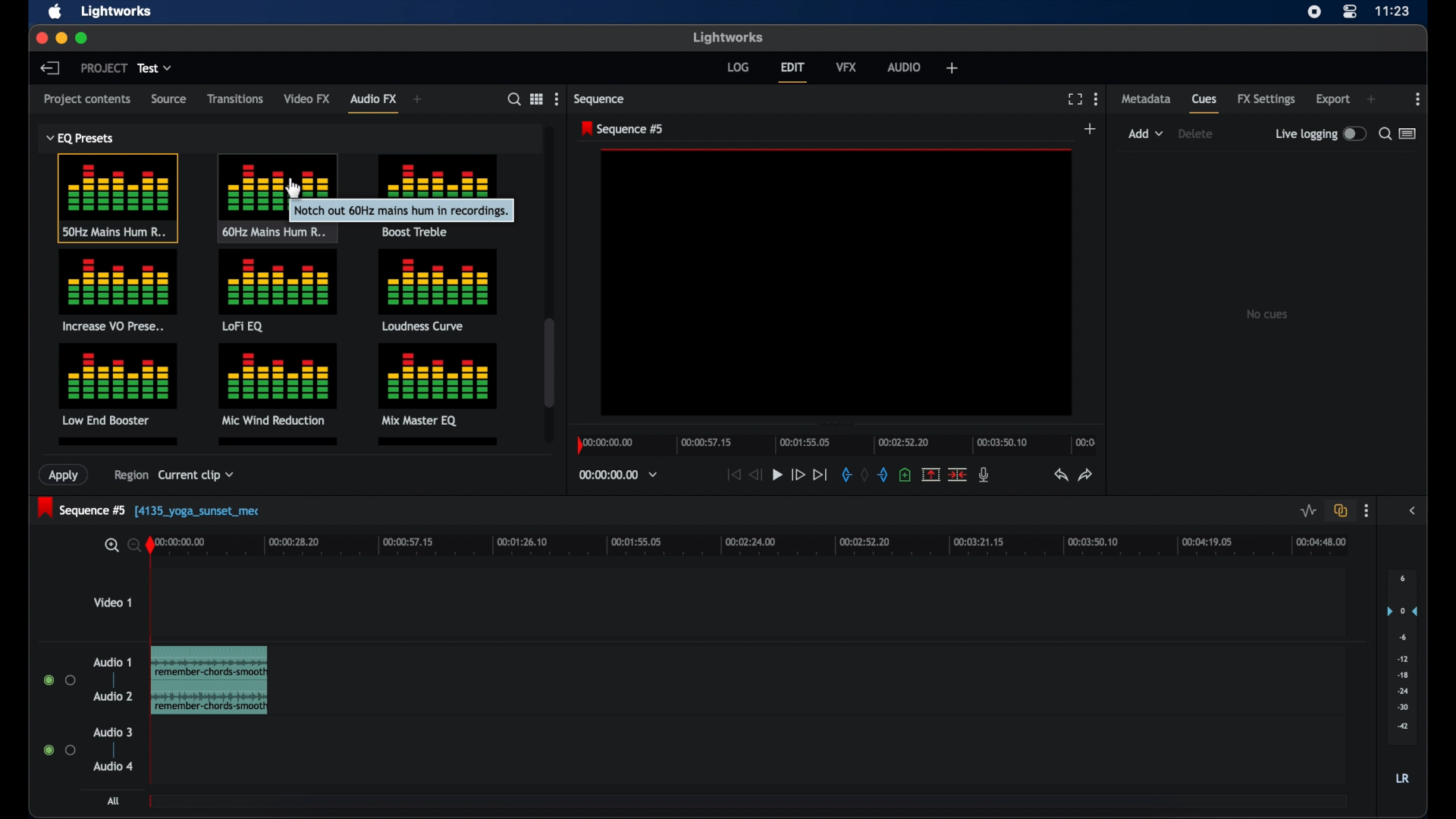  What do you see at coordinates (837, 283) in the screenshot?
I see `video preview` at bounding box center [837, 283].